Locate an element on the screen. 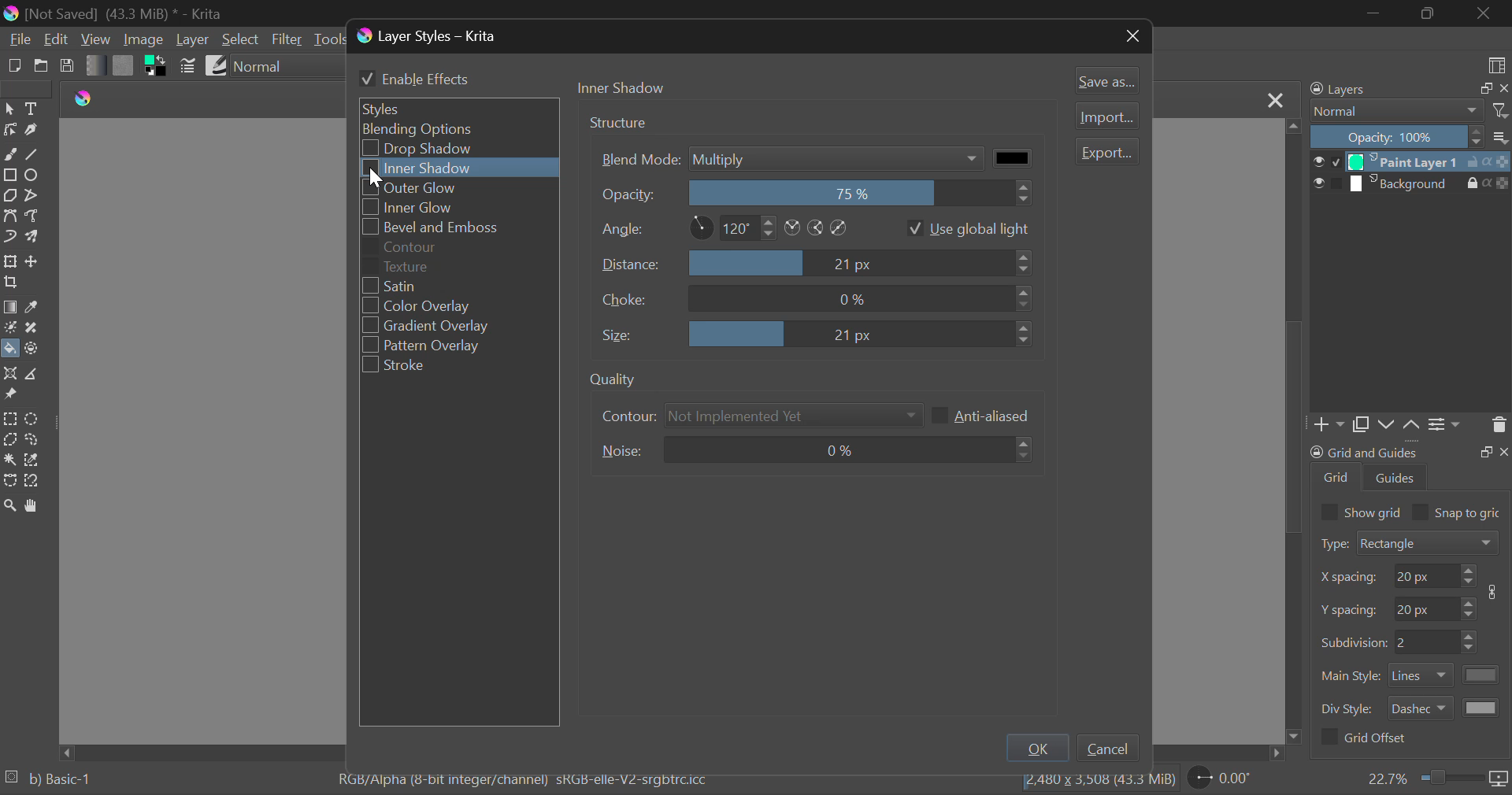  Tab Heading is located at coordinates (623, 91).